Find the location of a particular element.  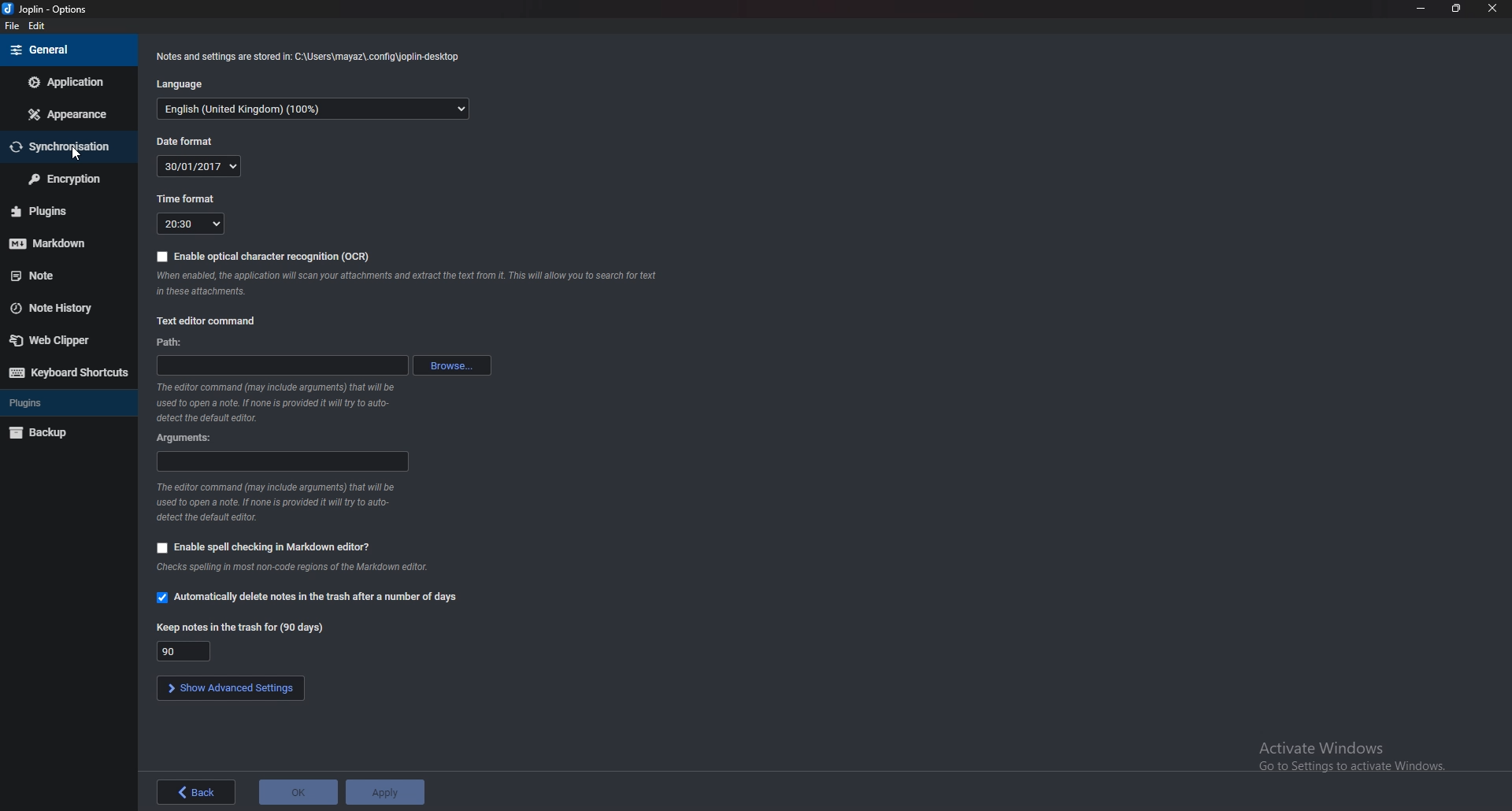

web clipper is located at coordinates (62, 342).